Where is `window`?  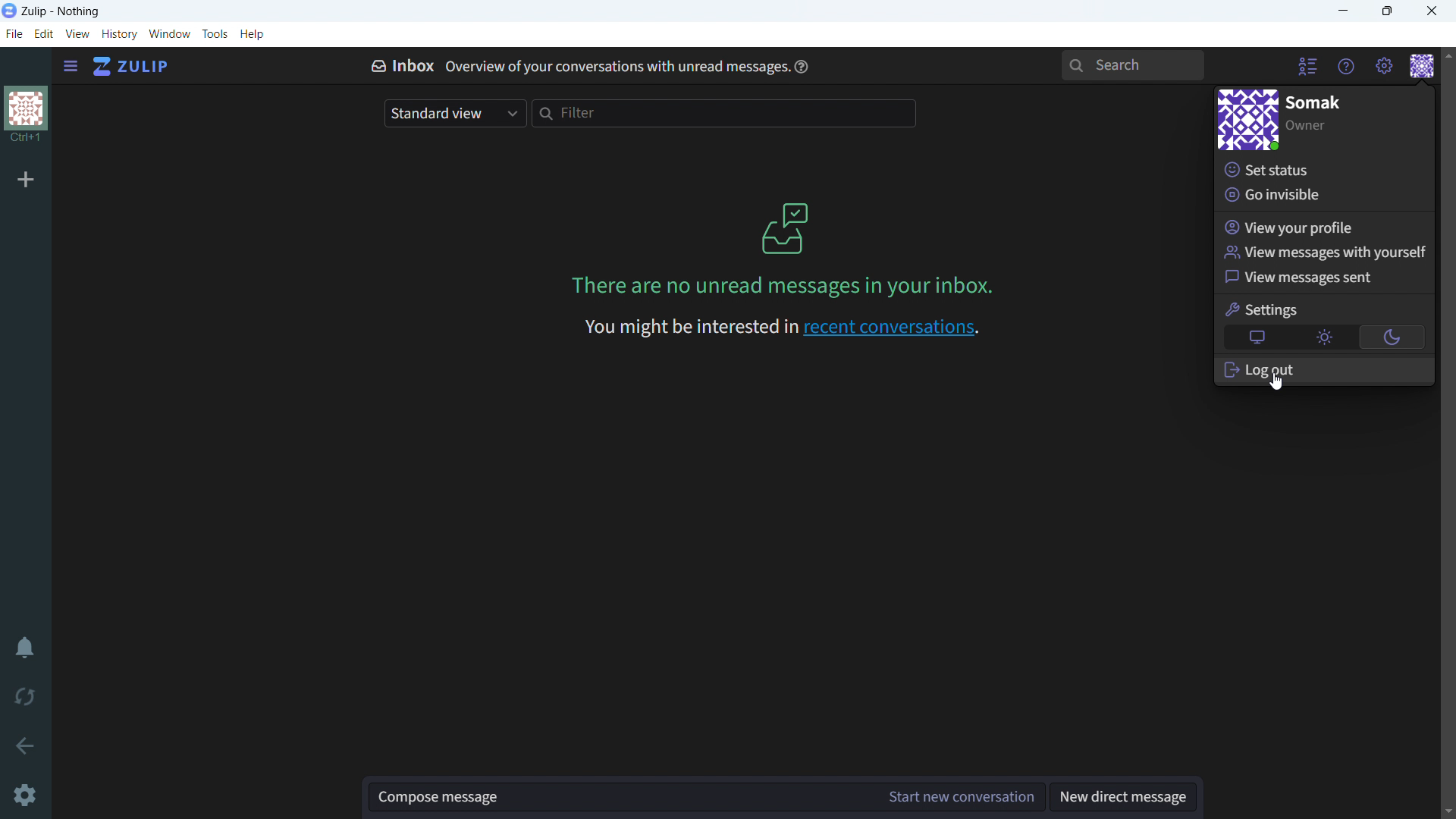
window is located at coordinates (171, 33).